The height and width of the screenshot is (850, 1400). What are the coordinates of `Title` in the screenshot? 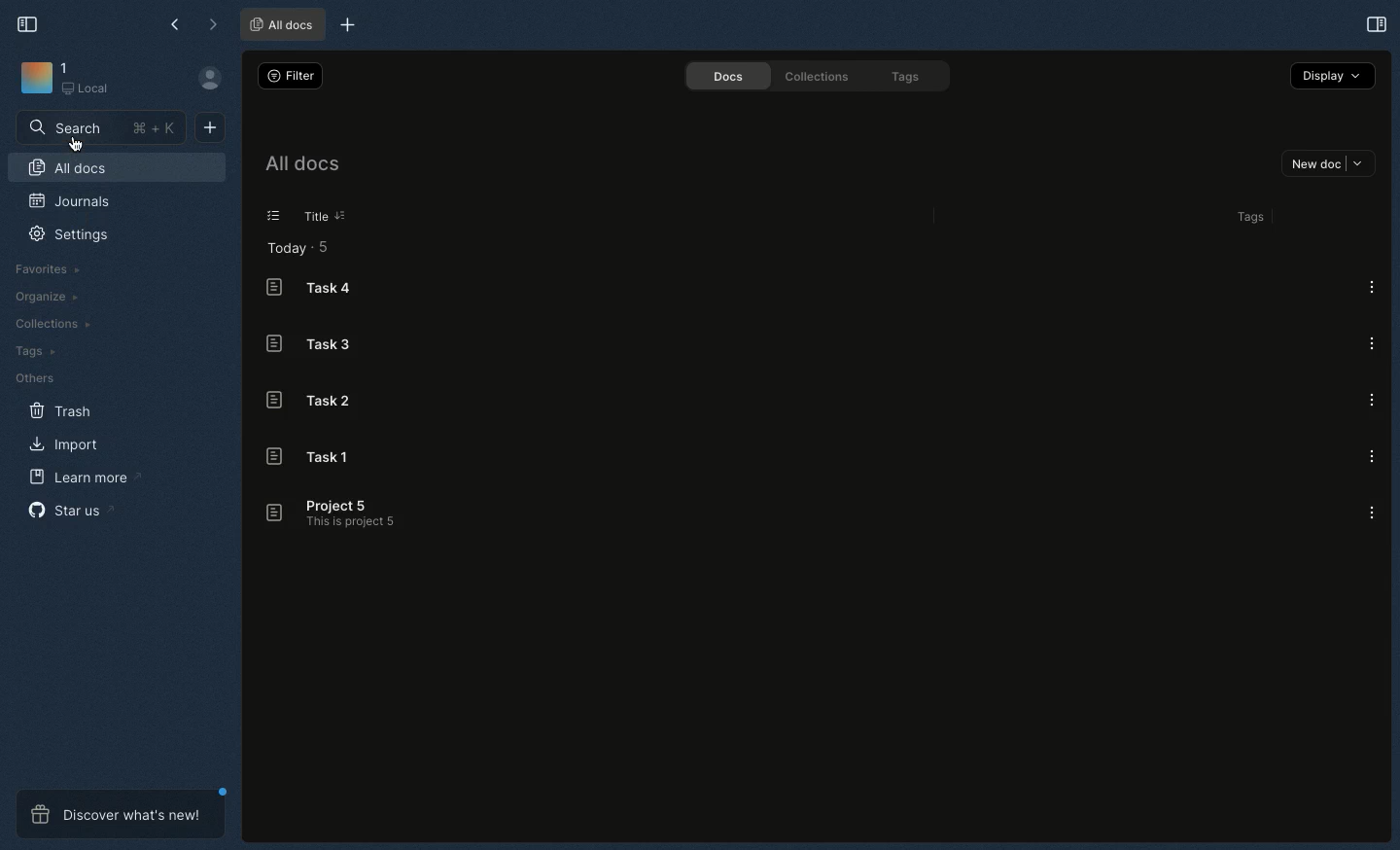 It's located at (317, 217).